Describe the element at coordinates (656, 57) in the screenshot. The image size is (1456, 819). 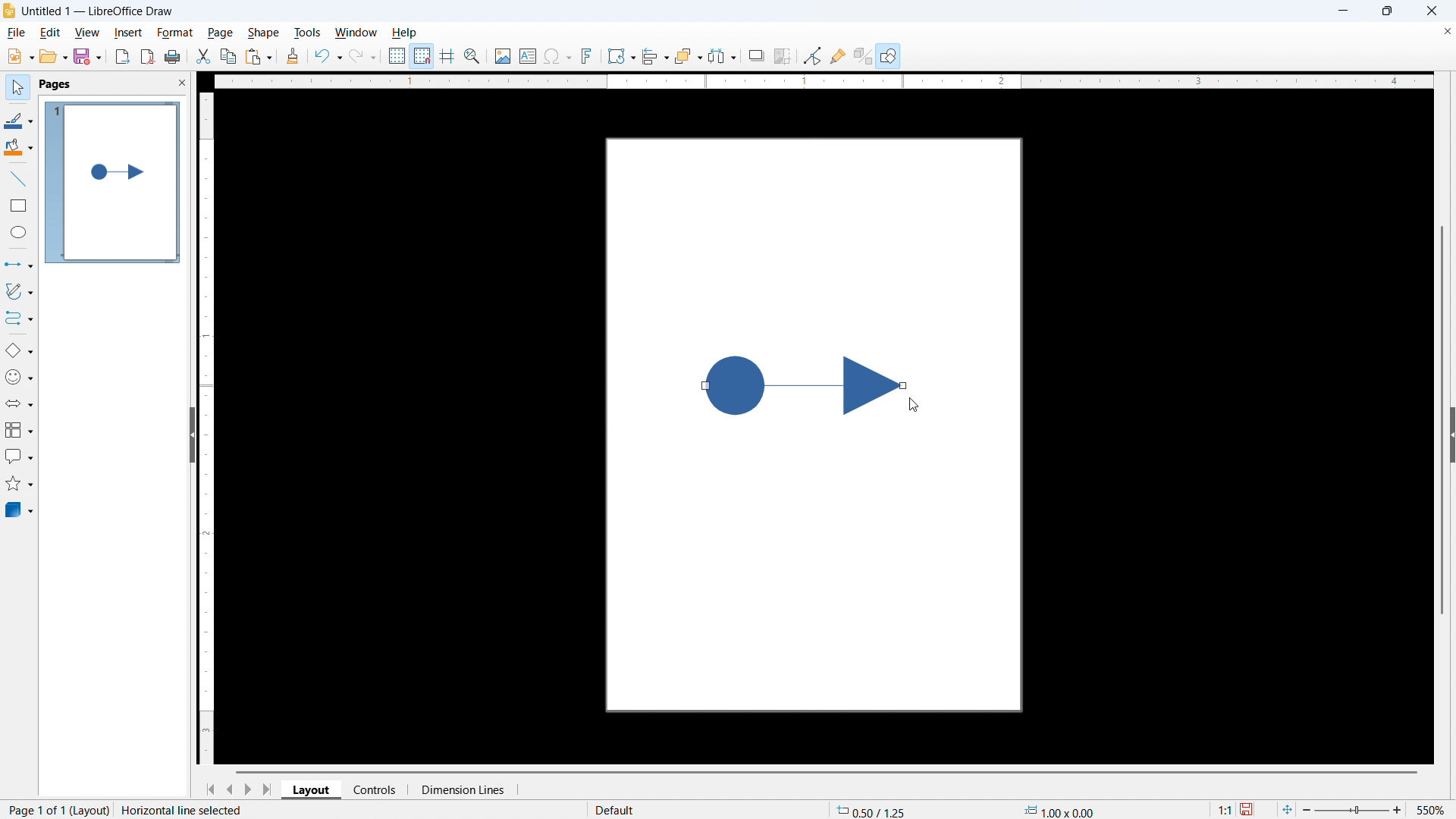
I see `align ` at that location.